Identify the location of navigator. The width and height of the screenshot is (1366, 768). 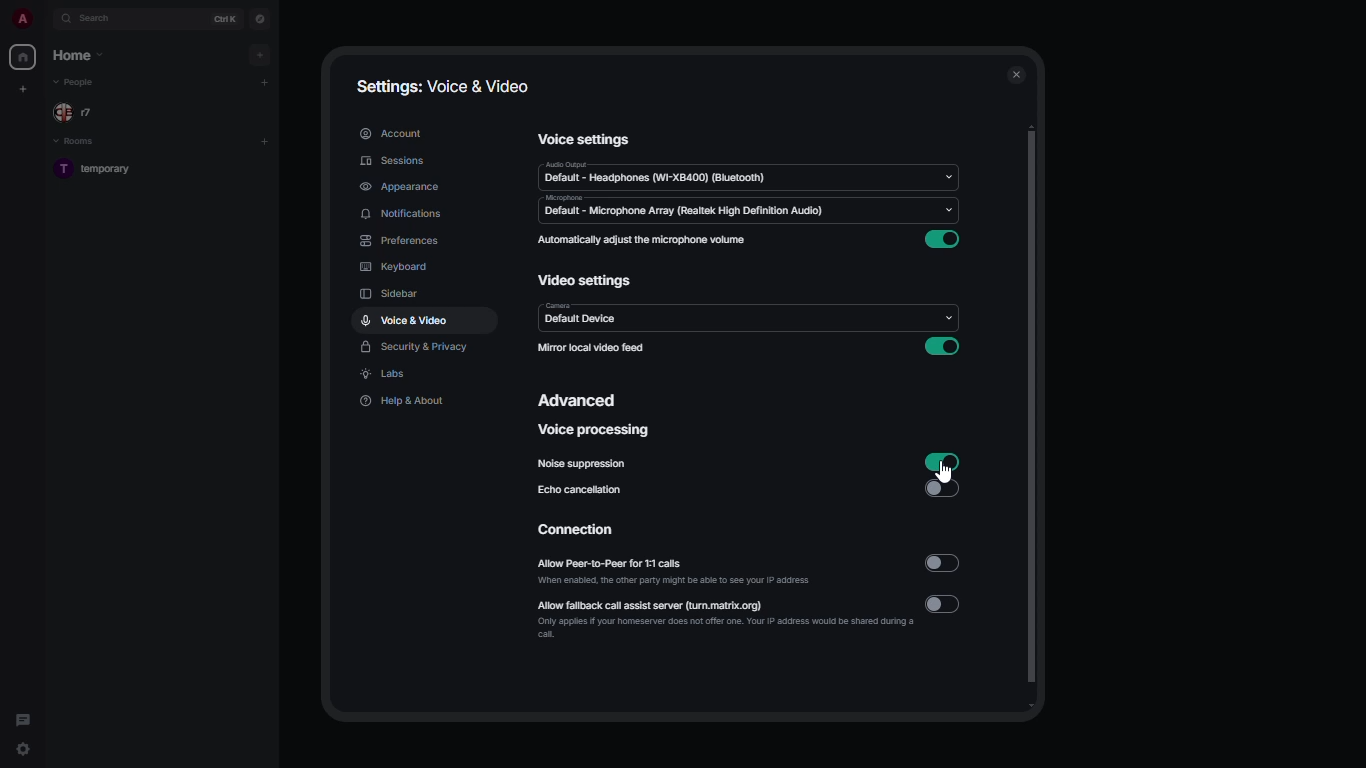
(258, 18).